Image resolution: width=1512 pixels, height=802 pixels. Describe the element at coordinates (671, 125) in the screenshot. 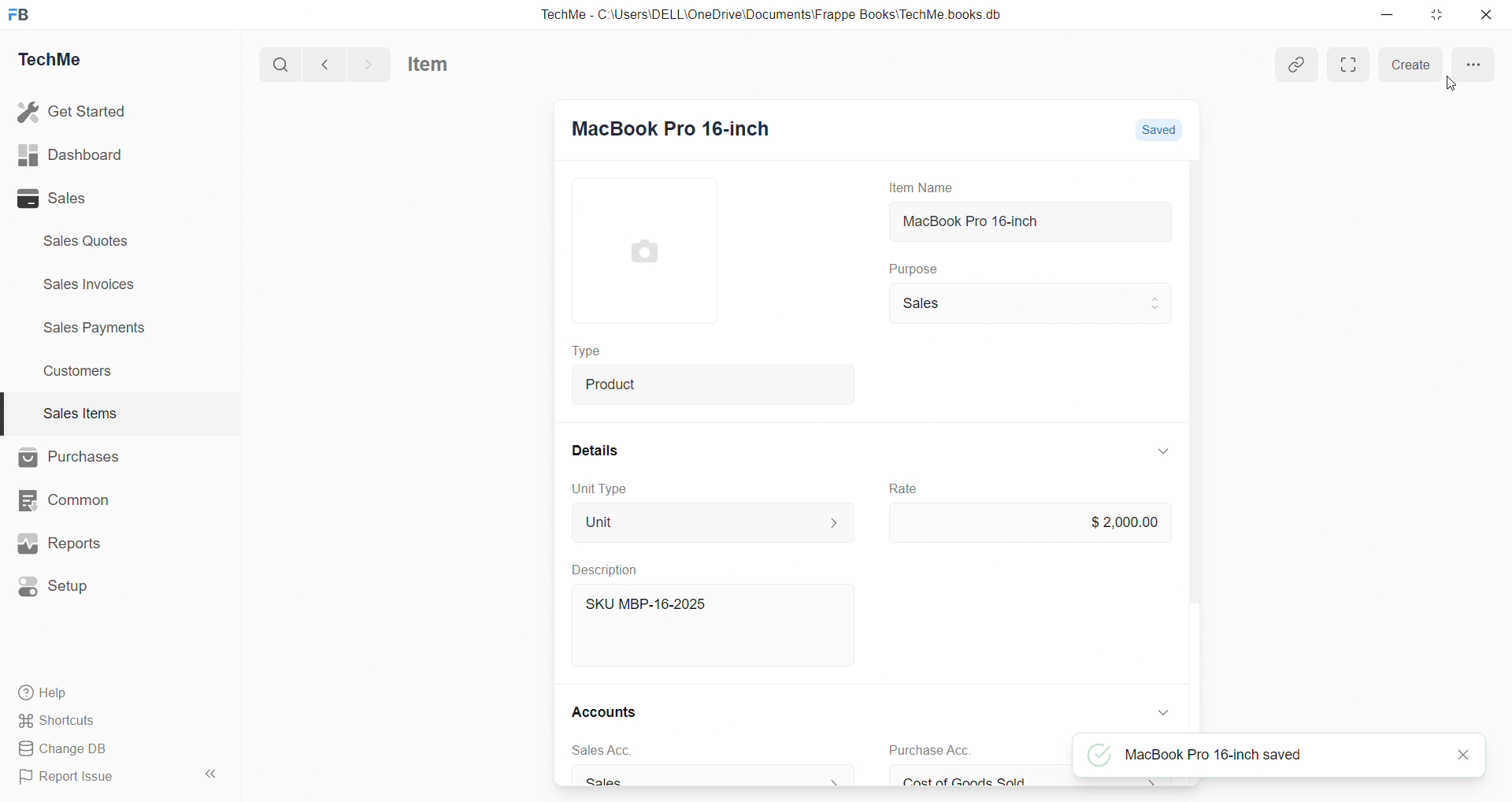

I see `MacBook Pro 16-inch` at that location.